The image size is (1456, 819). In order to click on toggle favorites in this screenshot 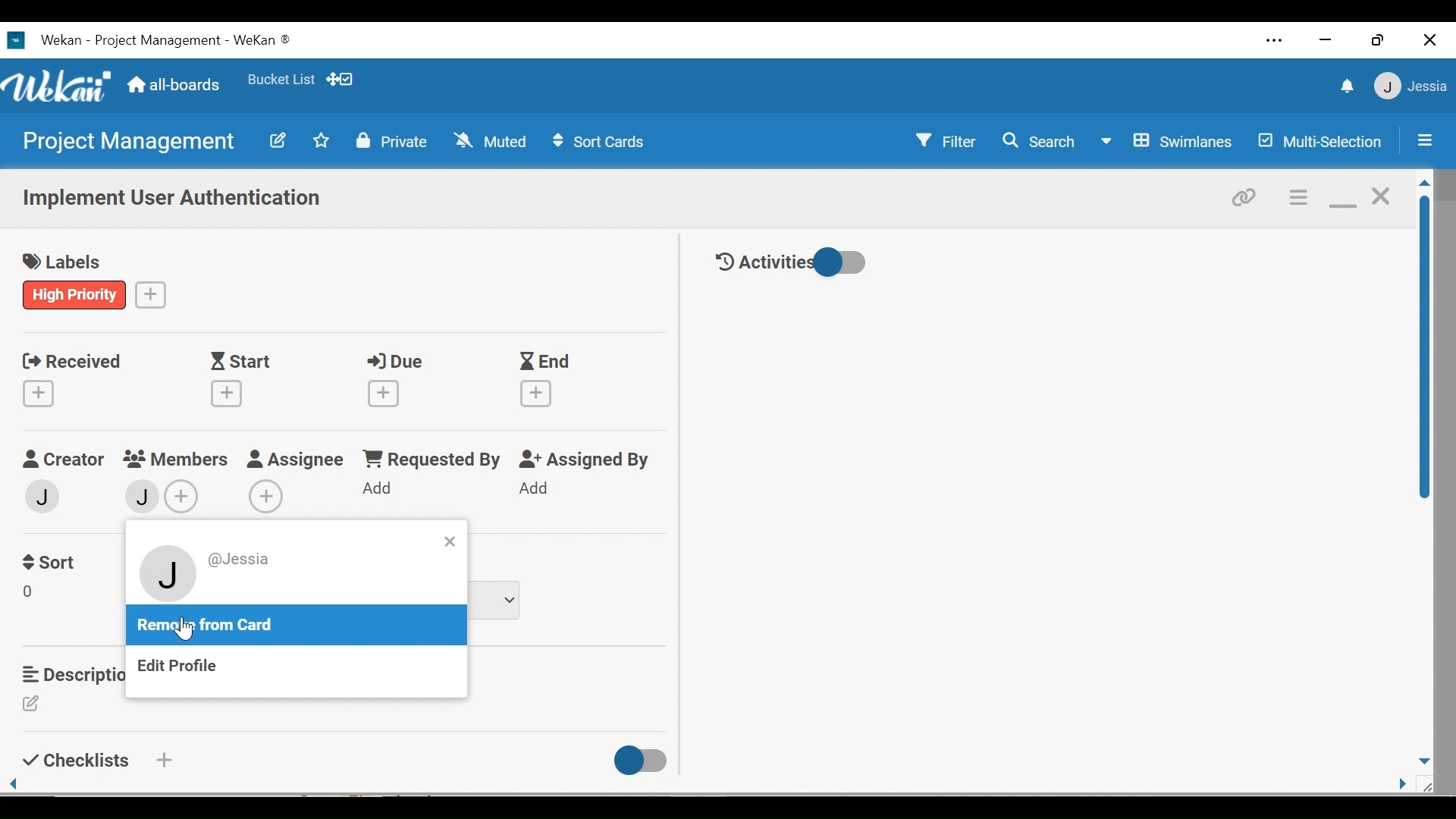, I will do `click(319, 142)`.